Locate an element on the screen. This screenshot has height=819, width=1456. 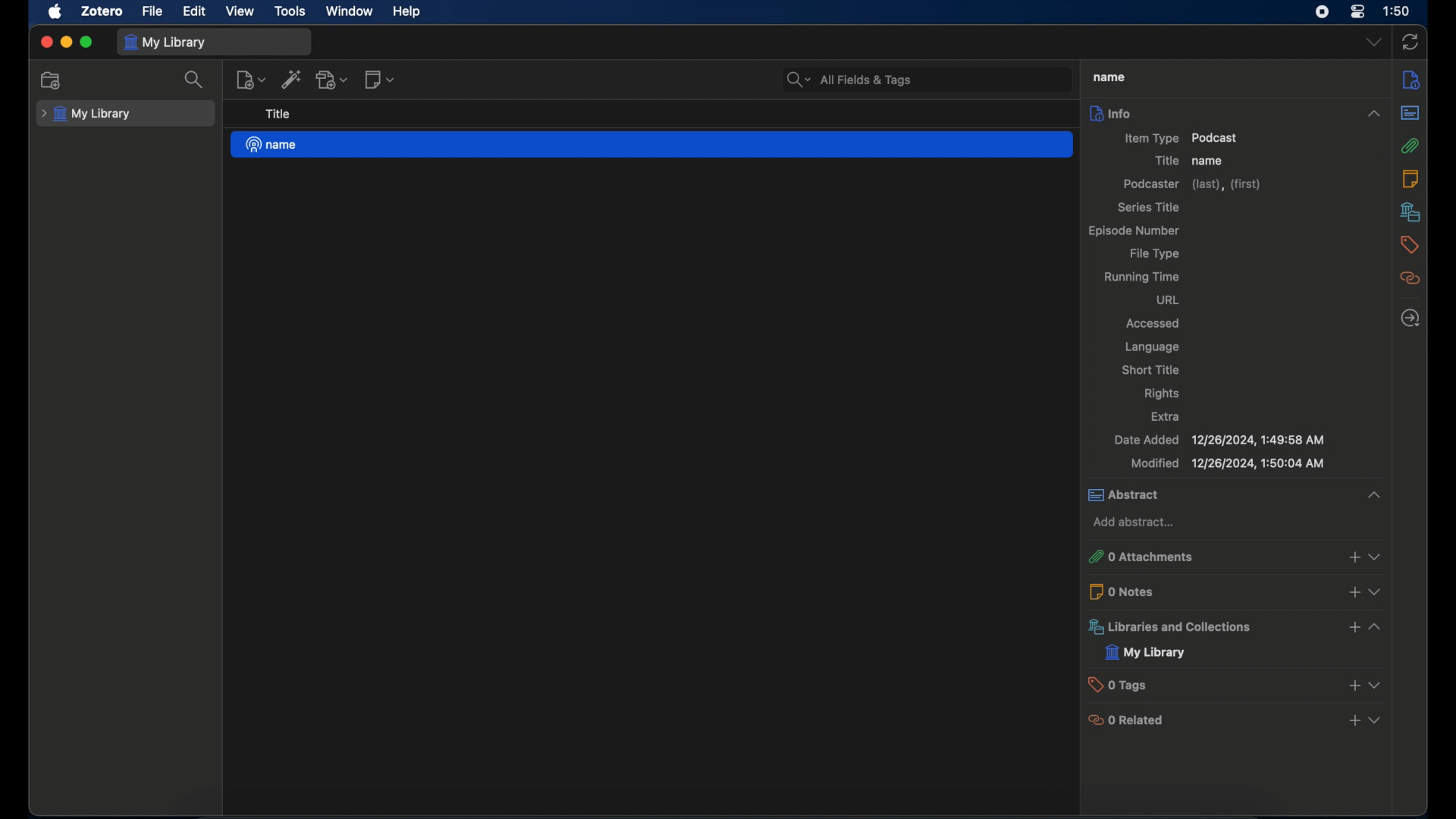
new item is located at coordinates (251, 80).